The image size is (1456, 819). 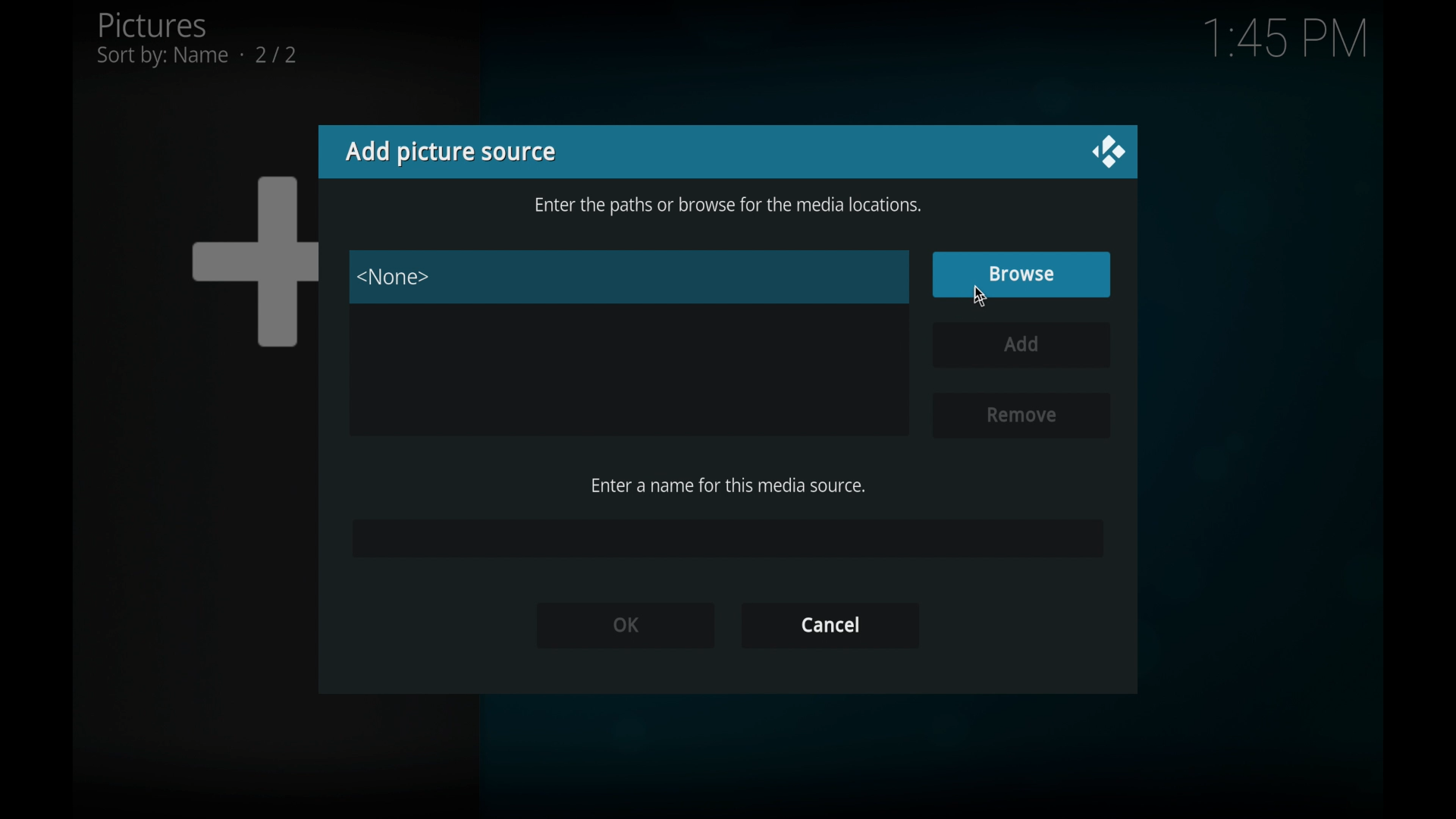 I want to click on add icon, so click(x=253, y=260).